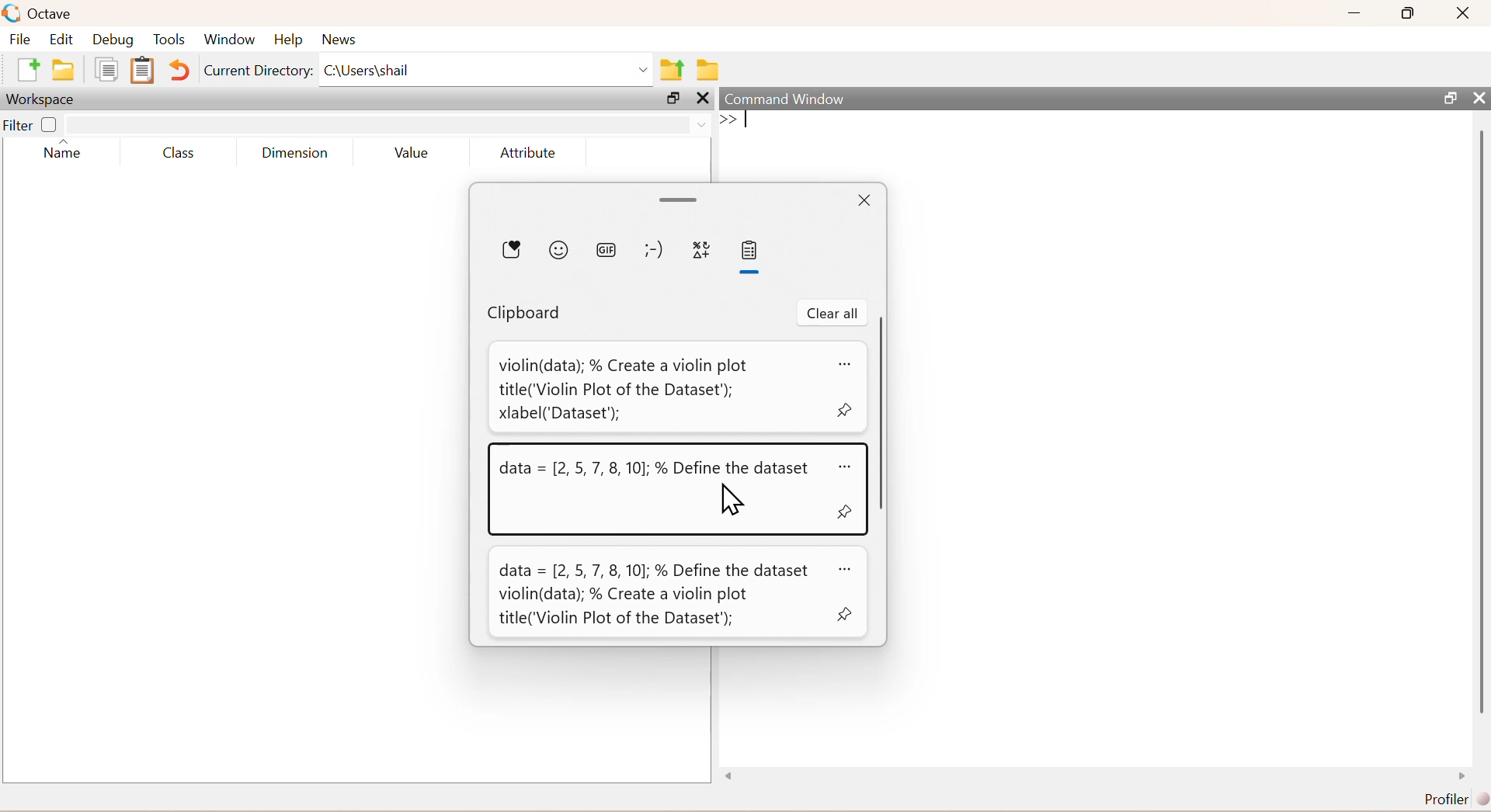 This screenshot has width=1491, height=812. Describe the element at coordinates (728, 498) in the screenshot. I see `cursor` at that location.